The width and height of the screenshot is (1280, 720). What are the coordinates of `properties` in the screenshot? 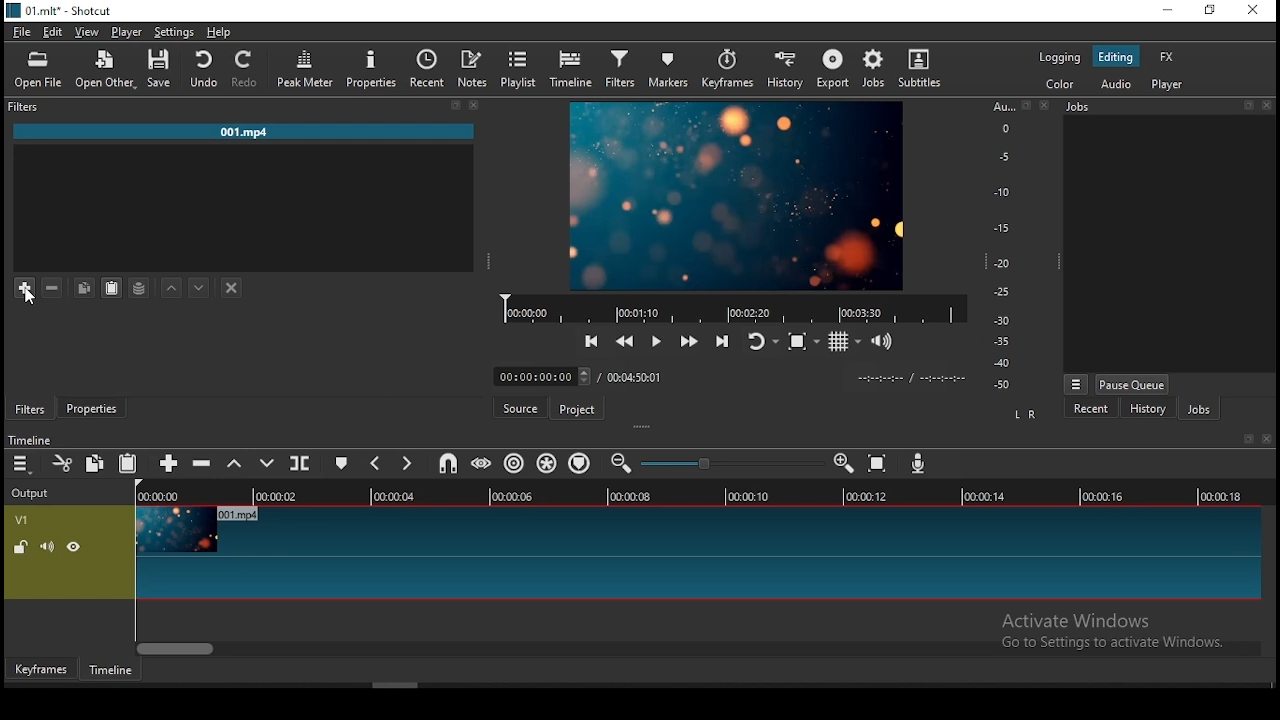 It's located at (92, 409).